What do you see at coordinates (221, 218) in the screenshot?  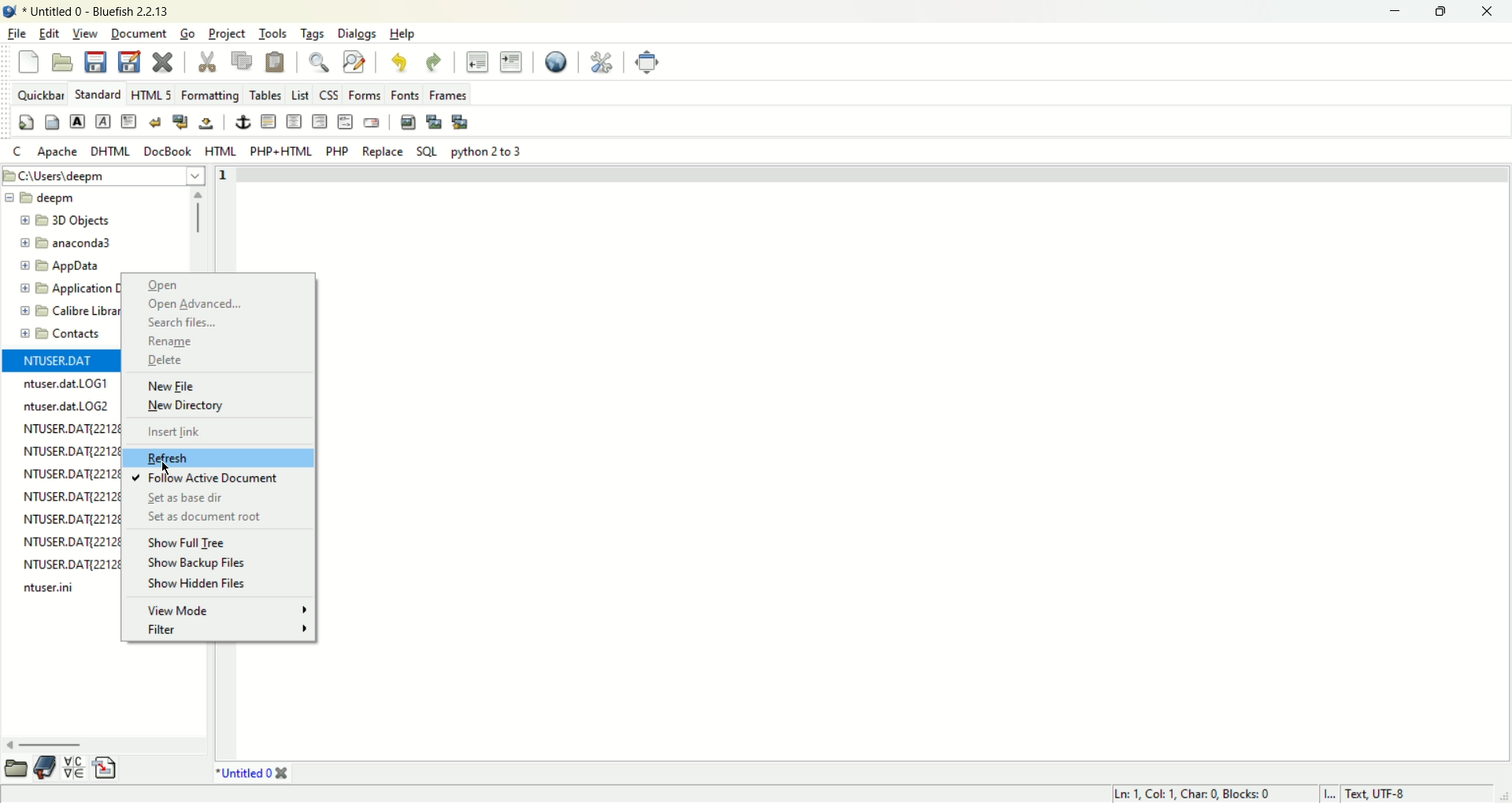 I see `line number` at bounding box center [221, 218].